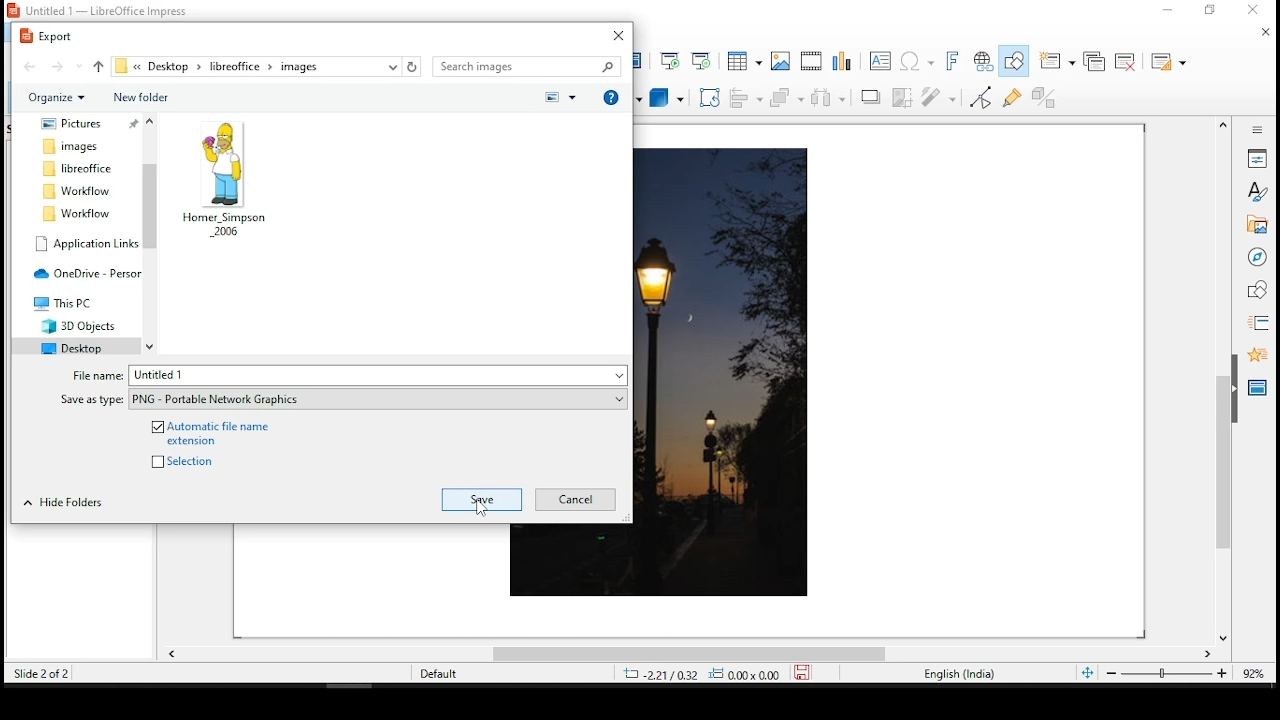  I want to click on charts, so click(847, 60).